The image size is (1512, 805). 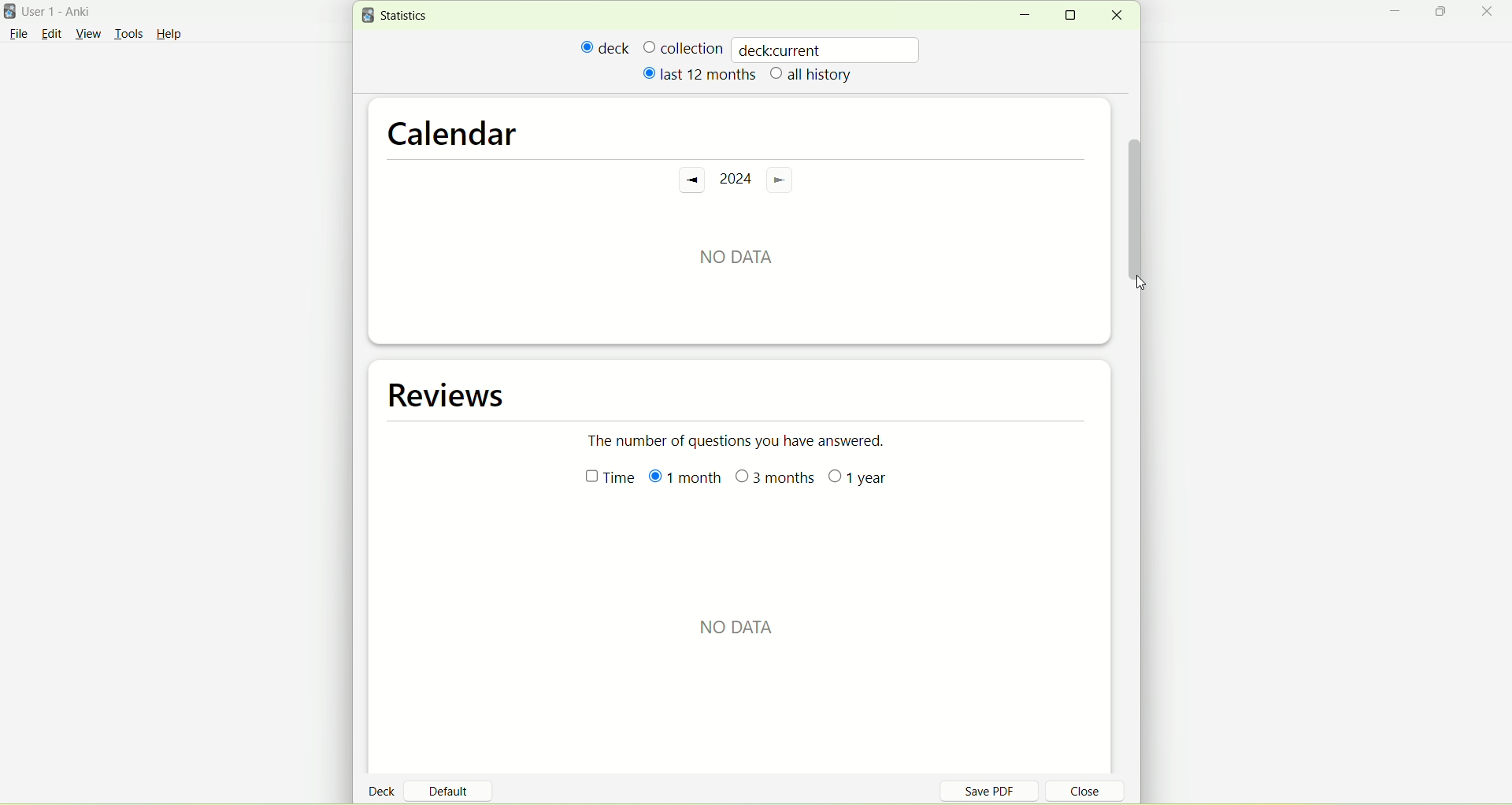 What do you see at coordinates (1399, 13) in the screenshot?
I see `minimize` at bounding box center [1399, 13].